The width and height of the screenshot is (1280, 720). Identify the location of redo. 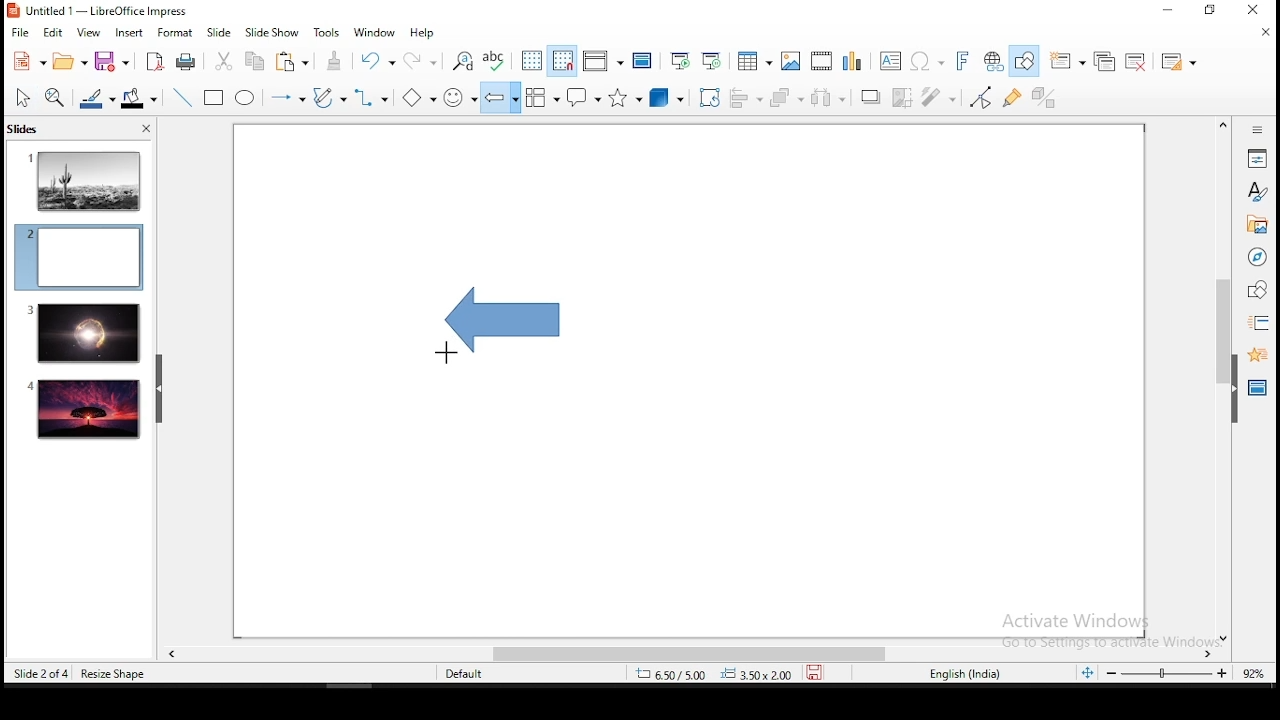
(423, 58).